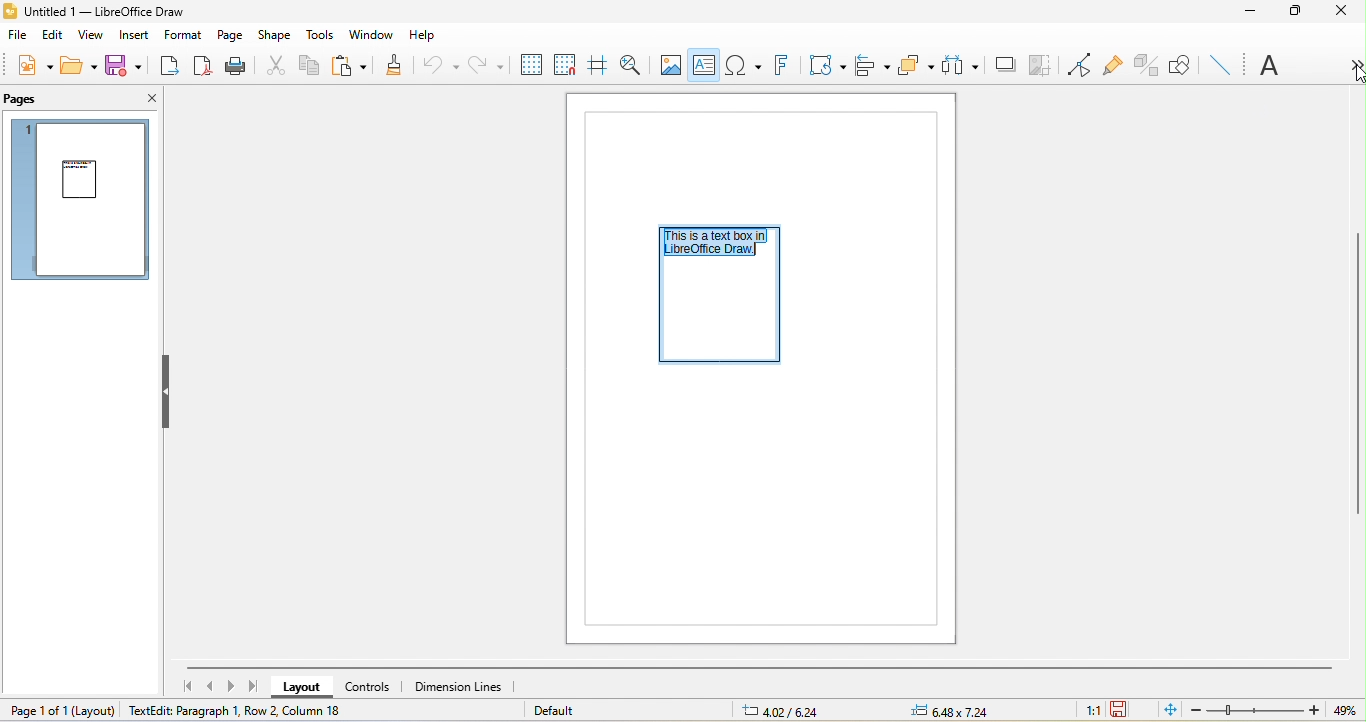 This screenshot has height=722, width=1366. What do you see at coordinates (375, 686) in the screenshot?
I see `controls` at bounding box center [375, 686].